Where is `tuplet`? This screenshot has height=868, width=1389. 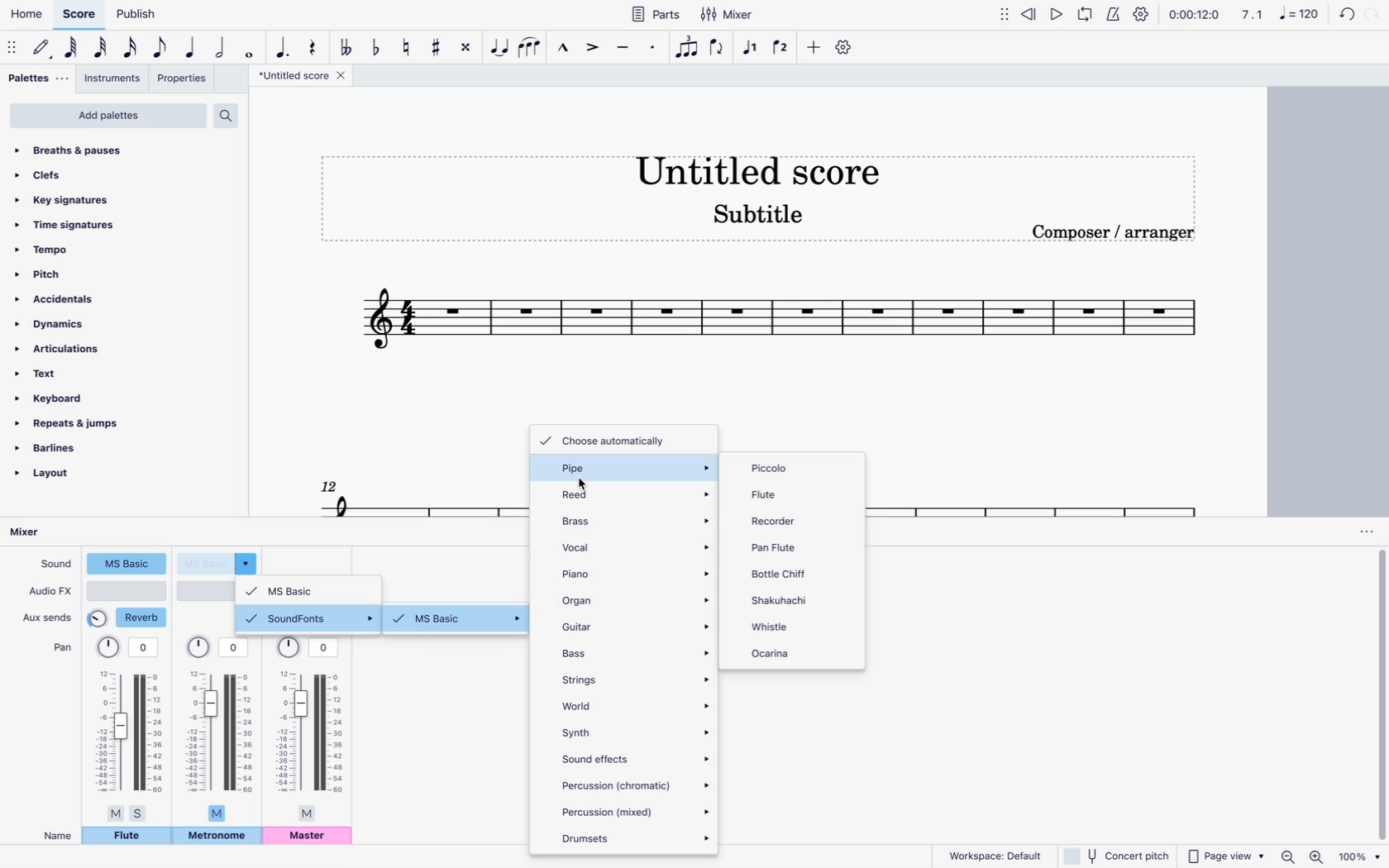
tuplet is located at coordinates (686, 48).